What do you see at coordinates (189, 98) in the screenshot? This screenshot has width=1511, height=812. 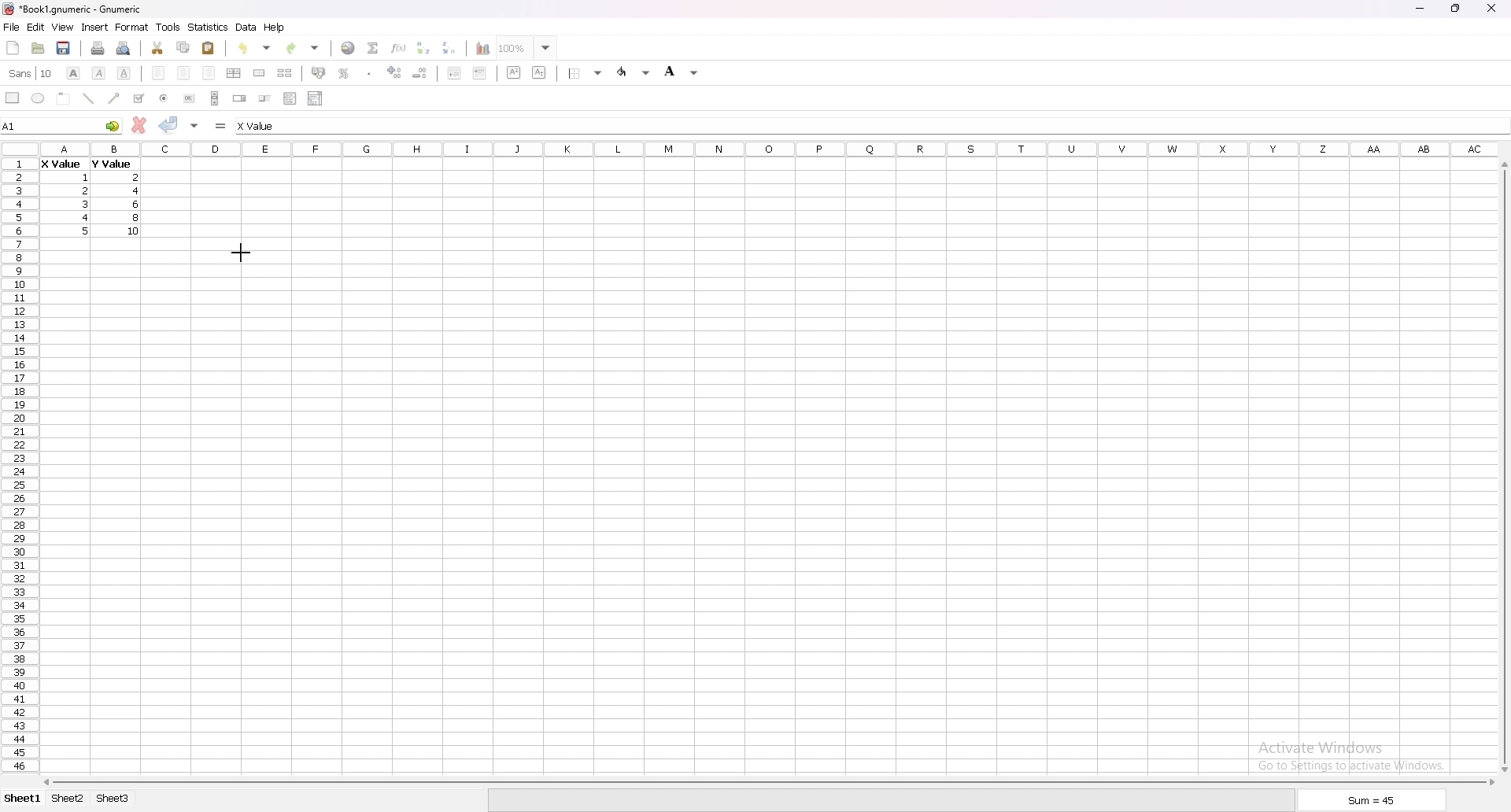 I see `button` at bounding box center [189, 98].